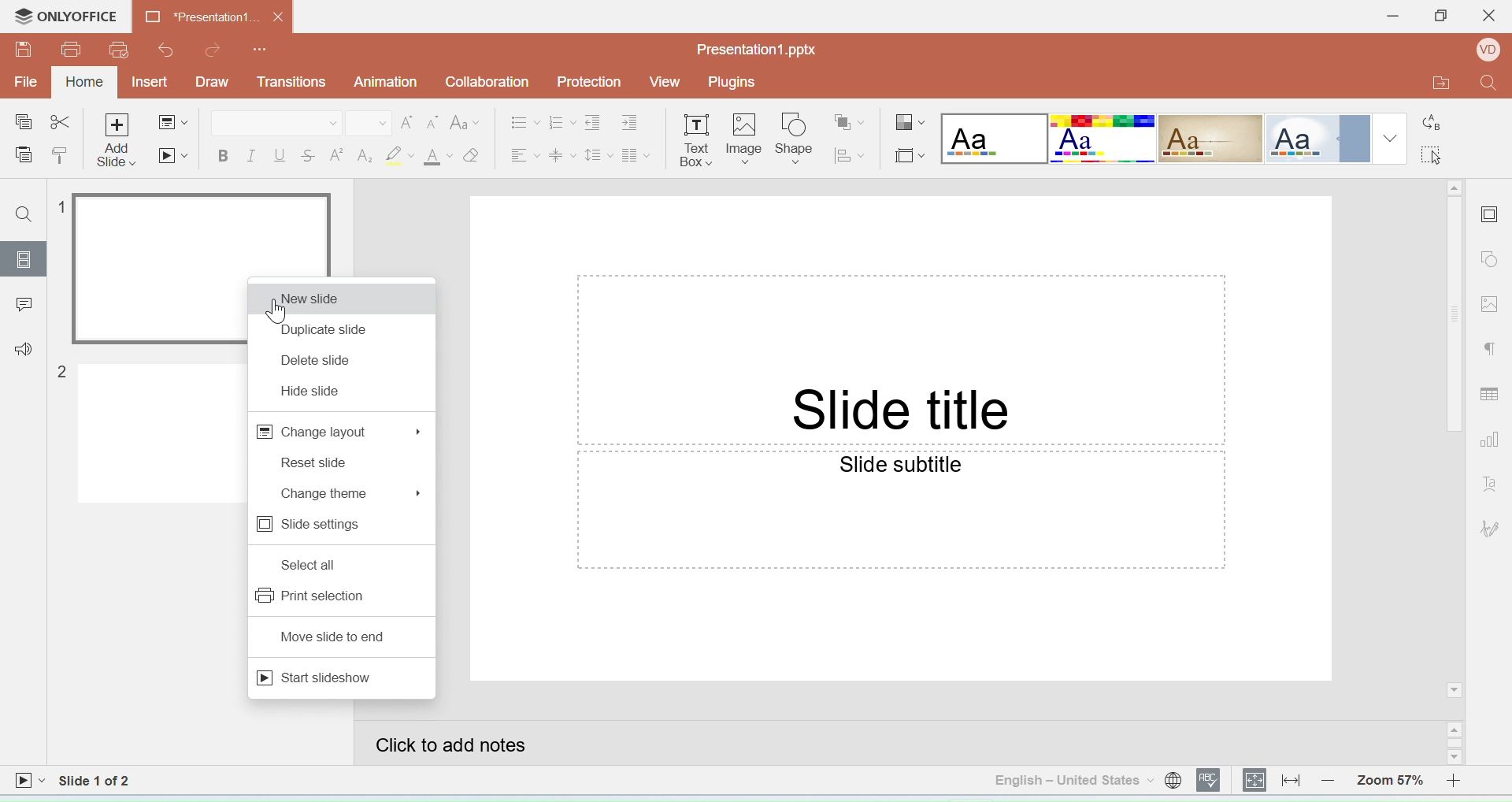  I want to click on Slide title, so click(900, 412).